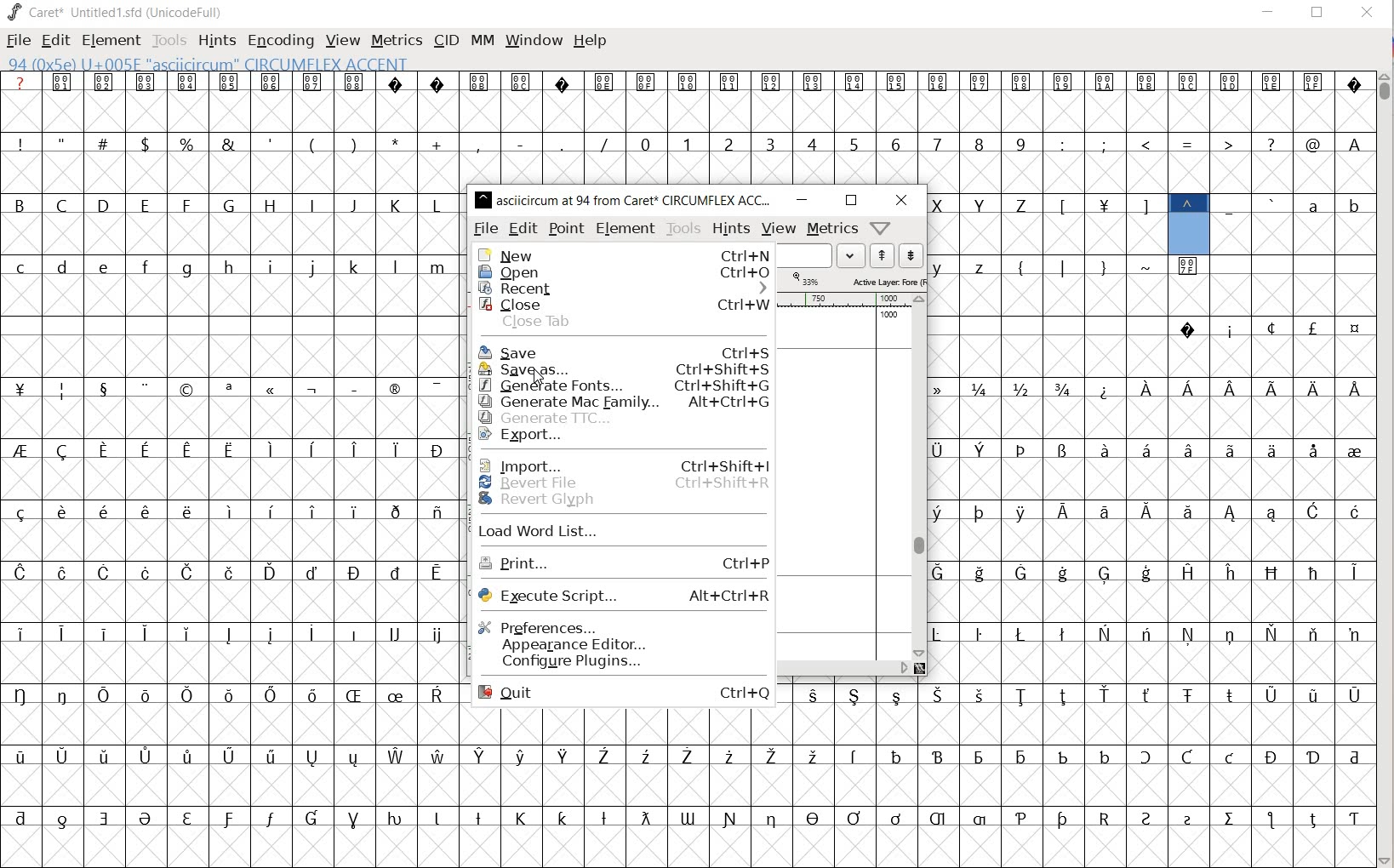 This screenshot has height=868, width=1394. I want to click on metrics, so click(833, 229).